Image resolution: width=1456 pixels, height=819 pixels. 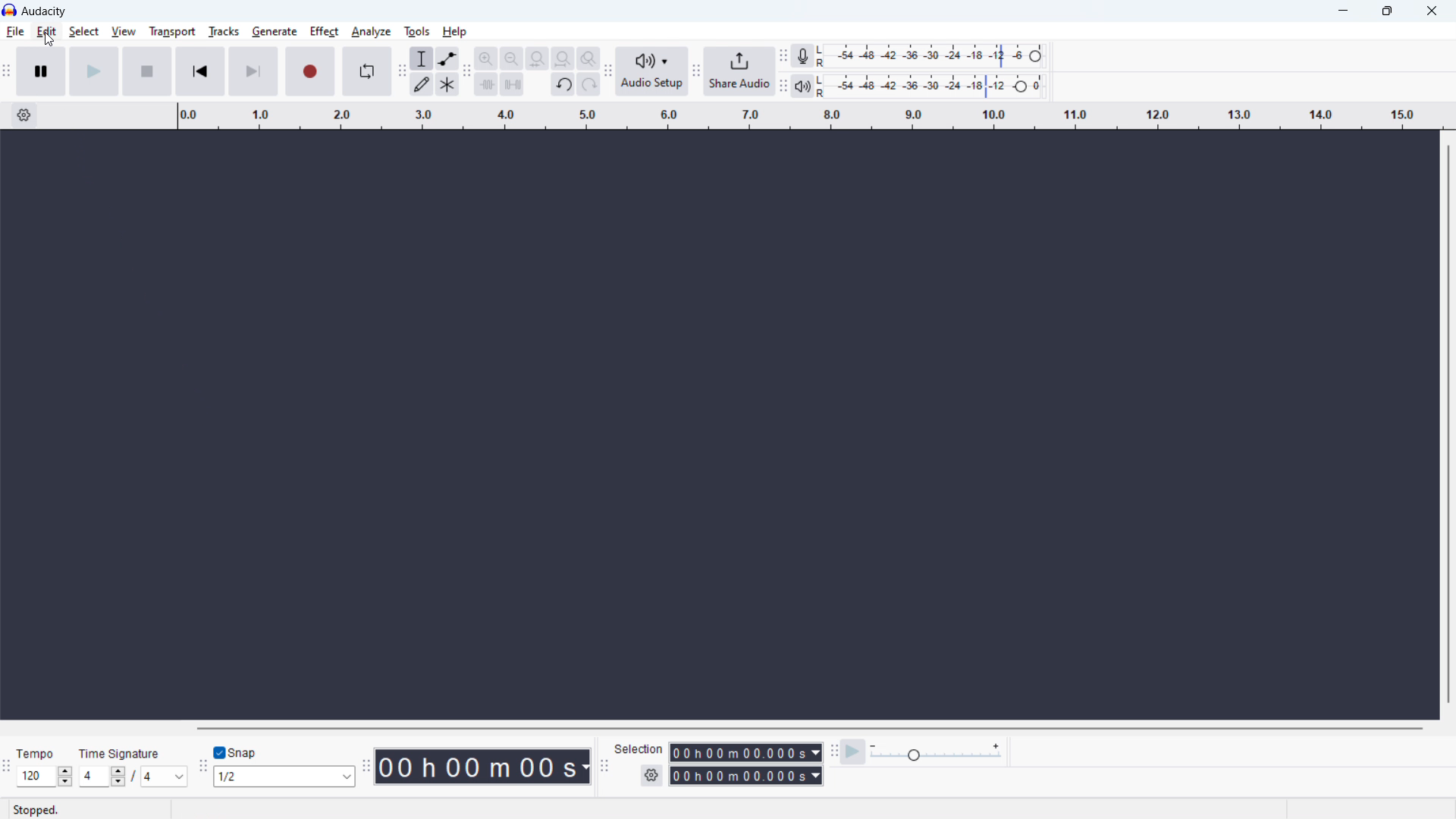 What do you see at coordinates (94, 72) in the screenshot?
I see `play` at bounding box center [94, 72].